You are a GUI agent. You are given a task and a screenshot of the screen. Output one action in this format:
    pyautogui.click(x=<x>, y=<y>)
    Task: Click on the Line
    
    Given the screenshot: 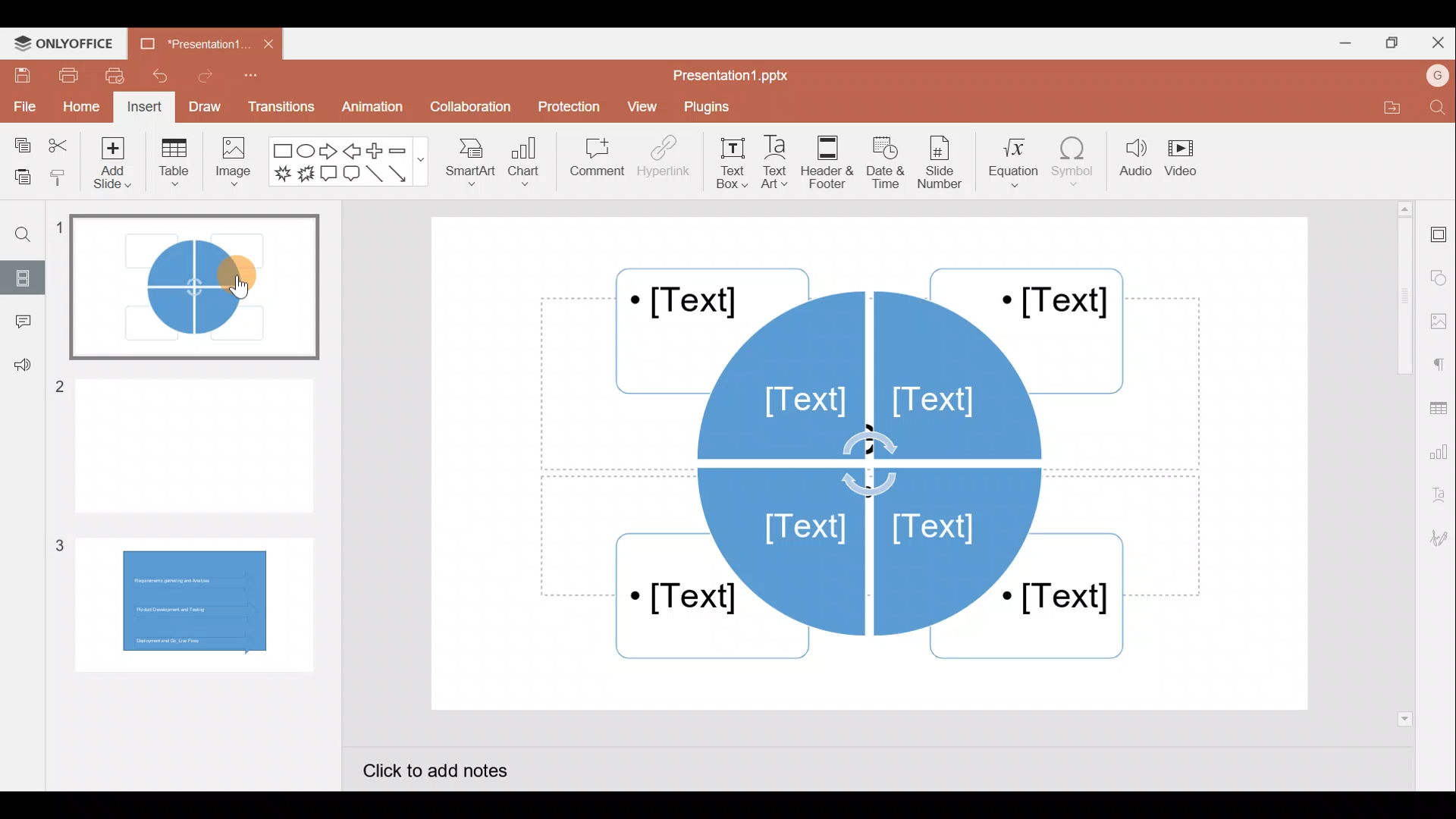 What is the action you would take?
    pyautogui.click(x=374, y=174)
    